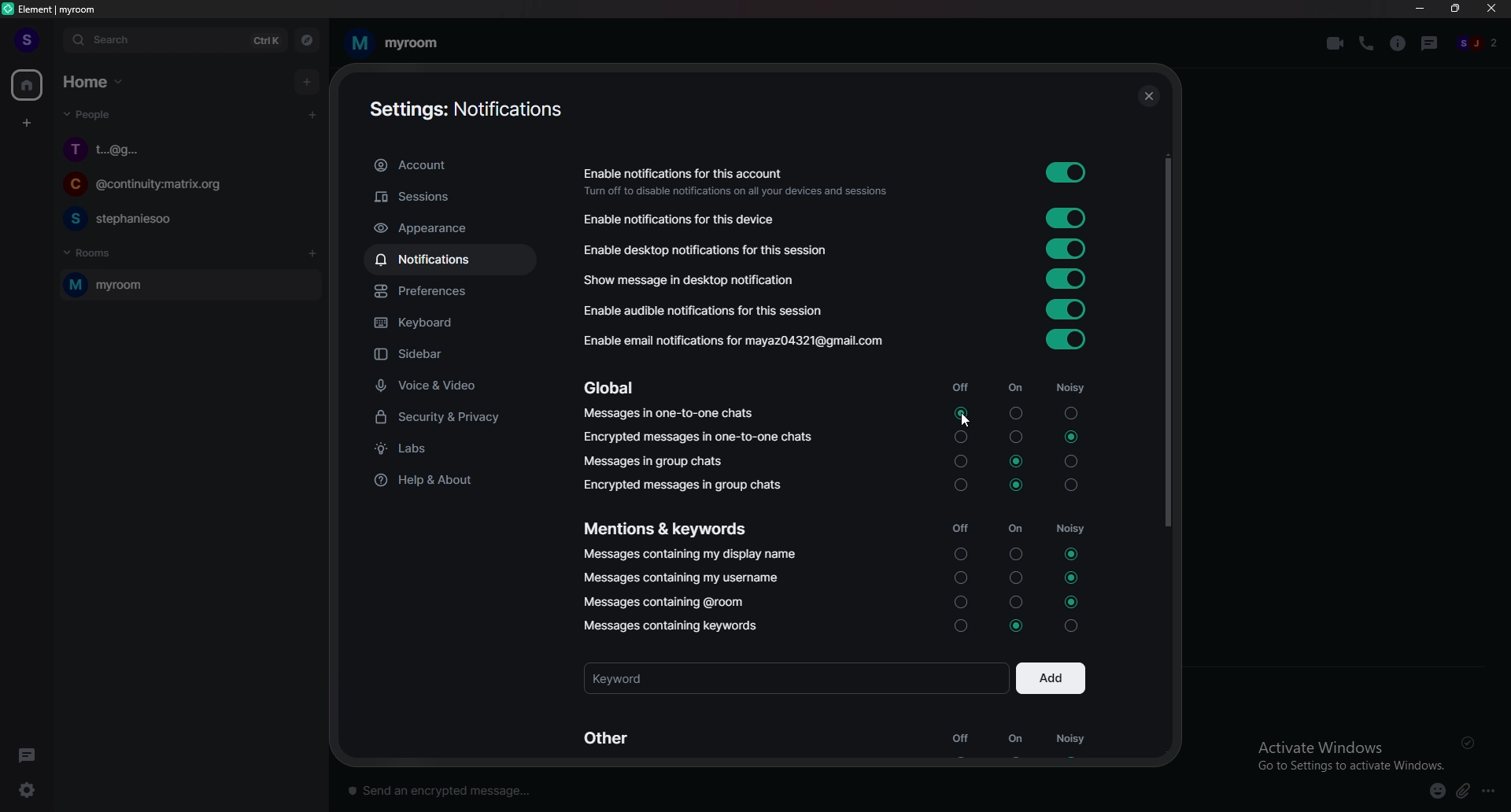 Image resolution: width=1511 pixels, height=812 pixels. Describe the element at coordinates (1349, 750) in the screenshot. I see `Activate Windows` at that location.